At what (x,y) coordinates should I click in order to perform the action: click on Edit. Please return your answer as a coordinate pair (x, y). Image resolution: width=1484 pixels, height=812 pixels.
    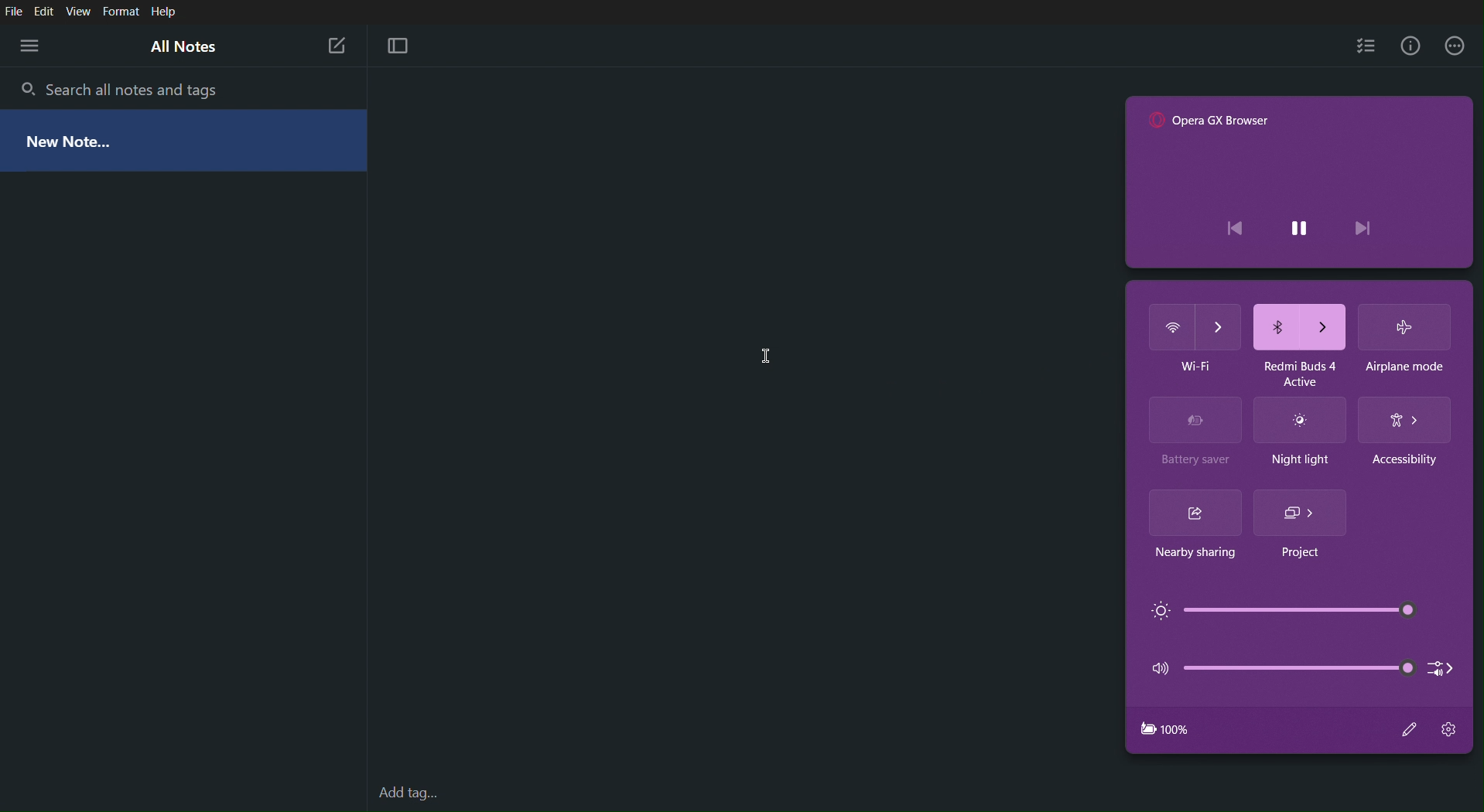
    Looking at the image, I should click on (47, 12).